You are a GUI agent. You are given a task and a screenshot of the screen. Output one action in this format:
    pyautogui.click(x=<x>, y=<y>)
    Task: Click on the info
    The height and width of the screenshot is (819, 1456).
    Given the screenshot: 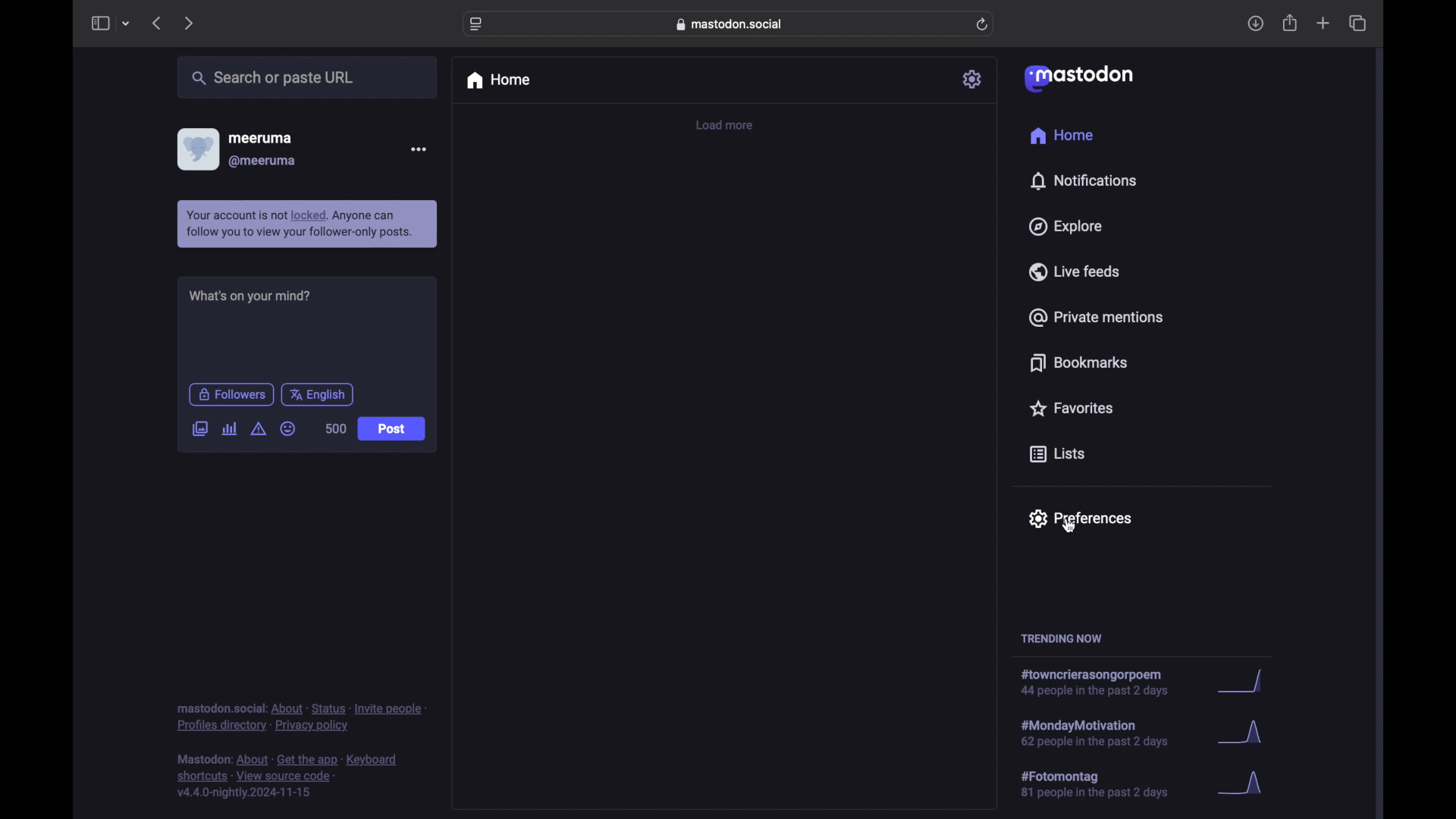 What is the action you would take?
    pyautogui.click(x=306, y=224)
    